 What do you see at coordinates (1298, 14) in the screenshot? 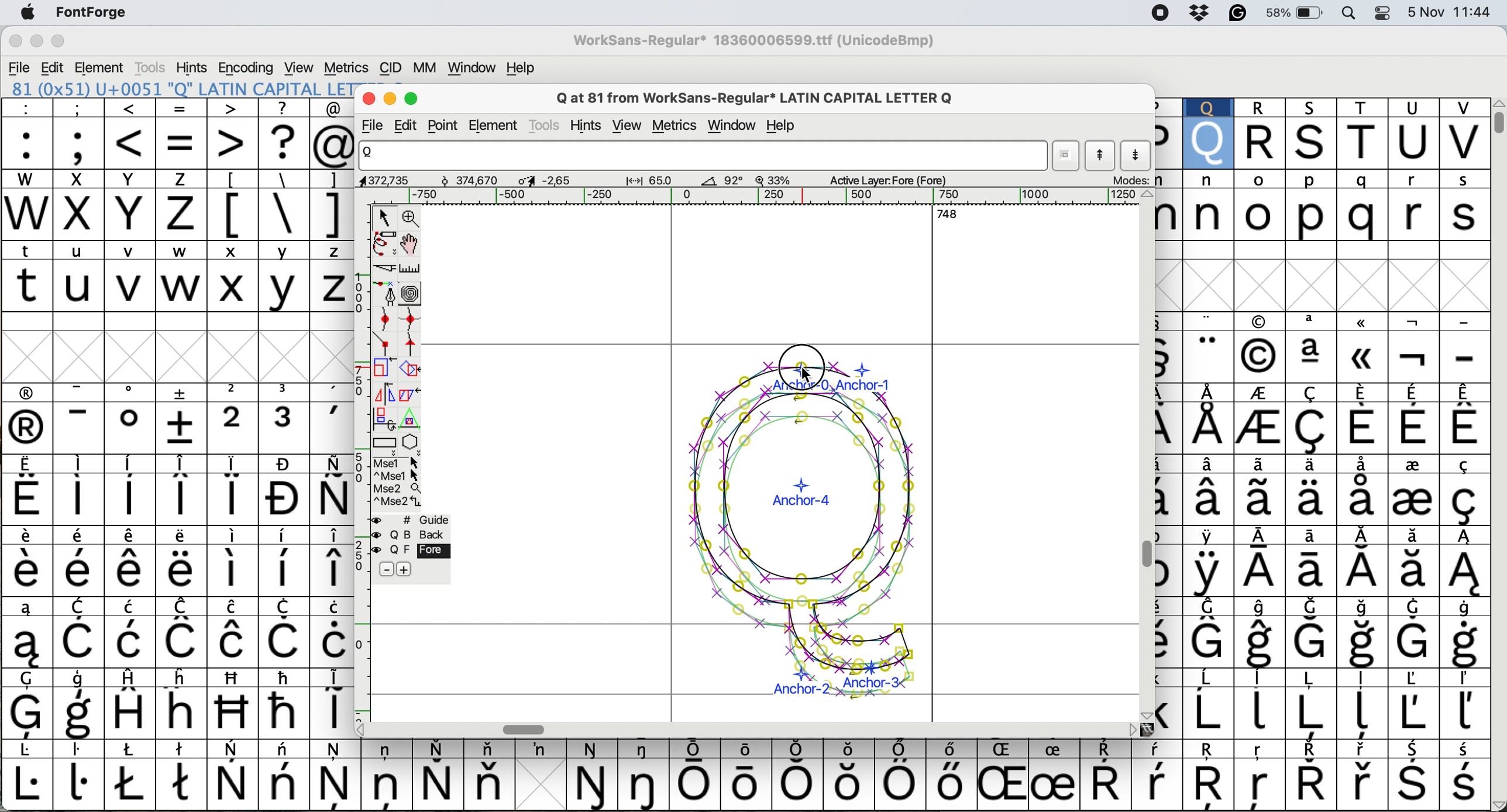
I see `58%` at bounding box center [1298, 14].